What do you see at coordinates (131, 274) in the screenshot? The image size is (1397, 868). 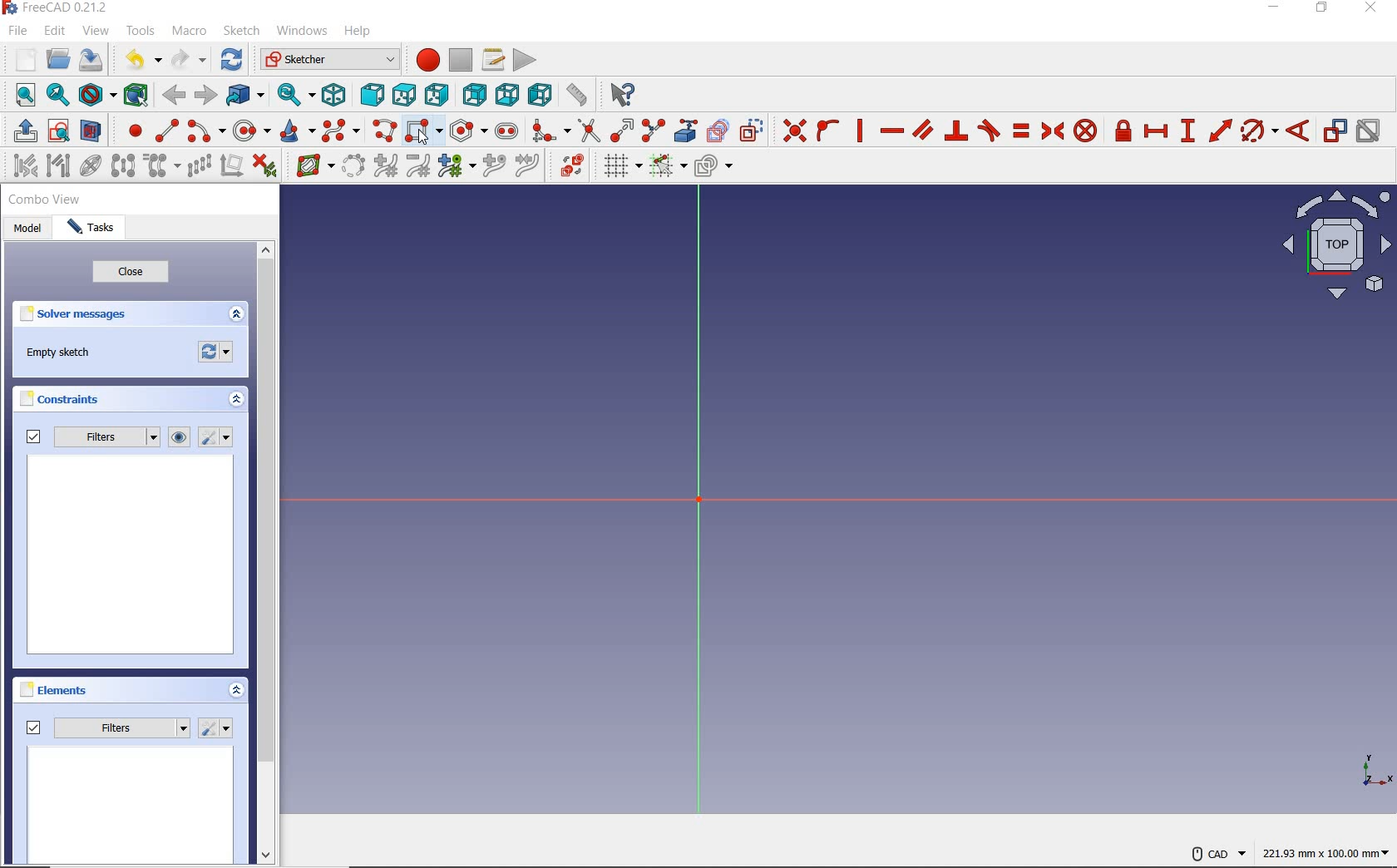 I see `close` at bounding box center [131, 274].